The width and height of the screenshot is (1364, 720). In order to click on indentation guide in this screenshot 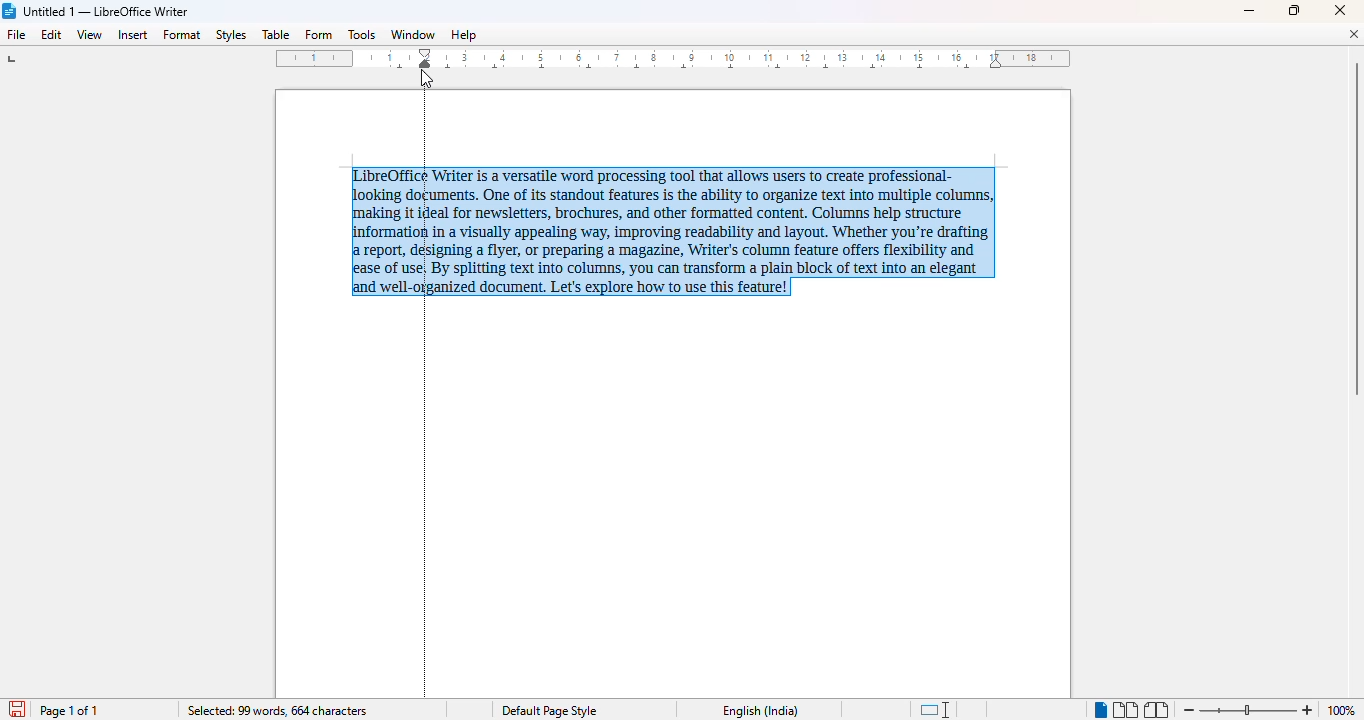, I will do `click(426, 395)`.